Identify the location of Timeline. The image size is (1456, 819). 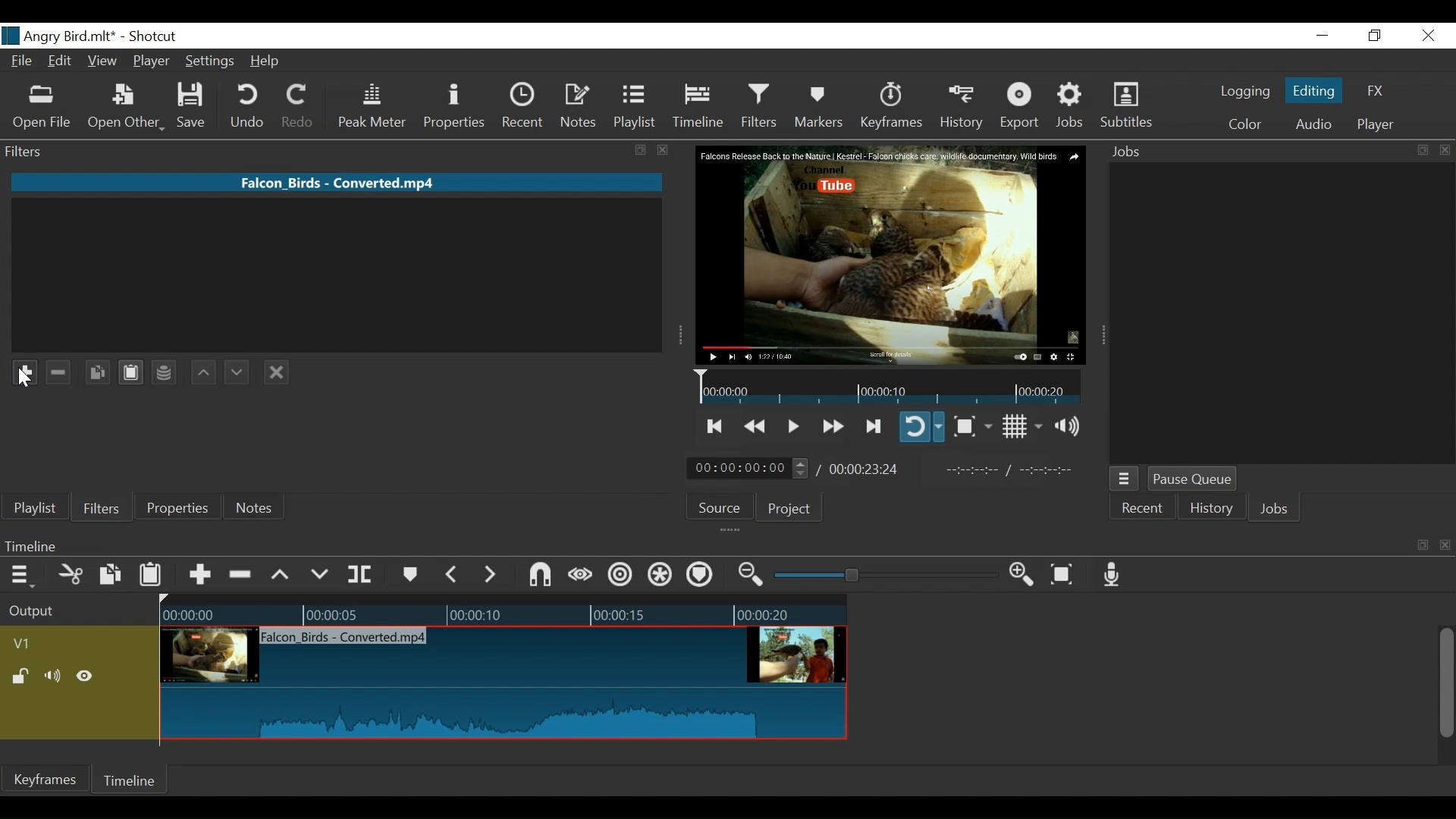
(701, 545).